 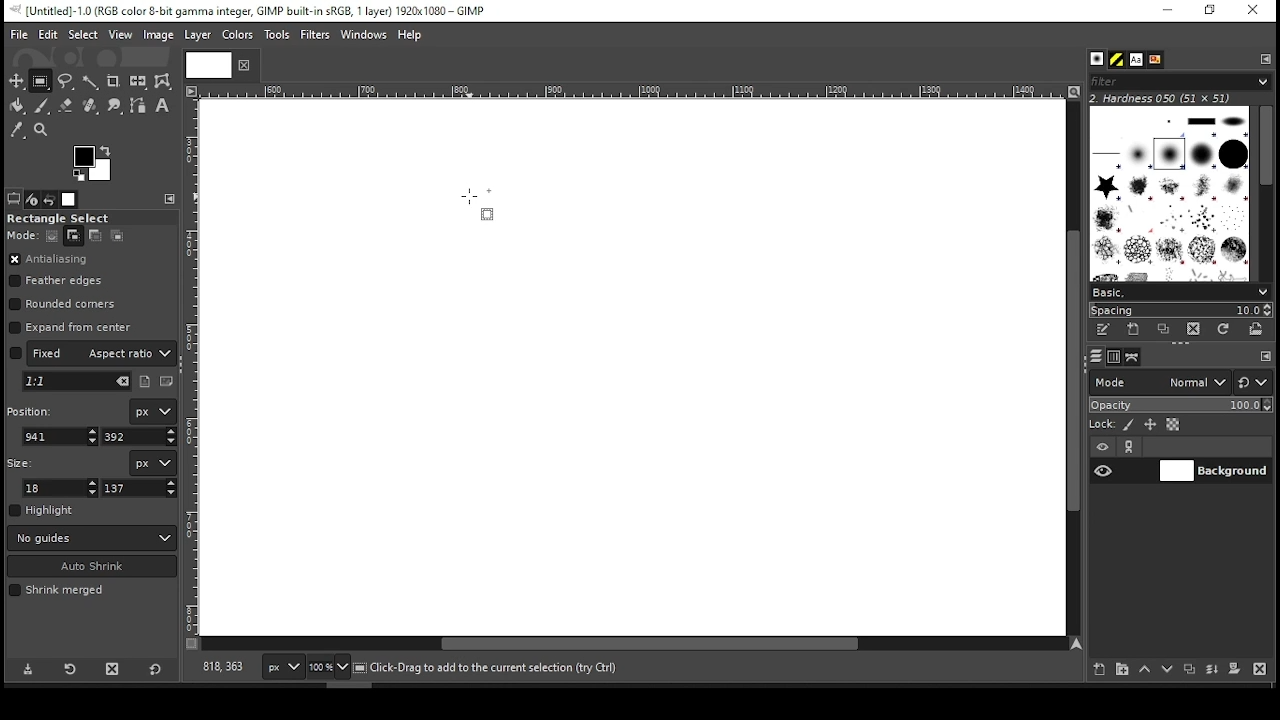 I want to click on font, so click(x=1135, y=60).